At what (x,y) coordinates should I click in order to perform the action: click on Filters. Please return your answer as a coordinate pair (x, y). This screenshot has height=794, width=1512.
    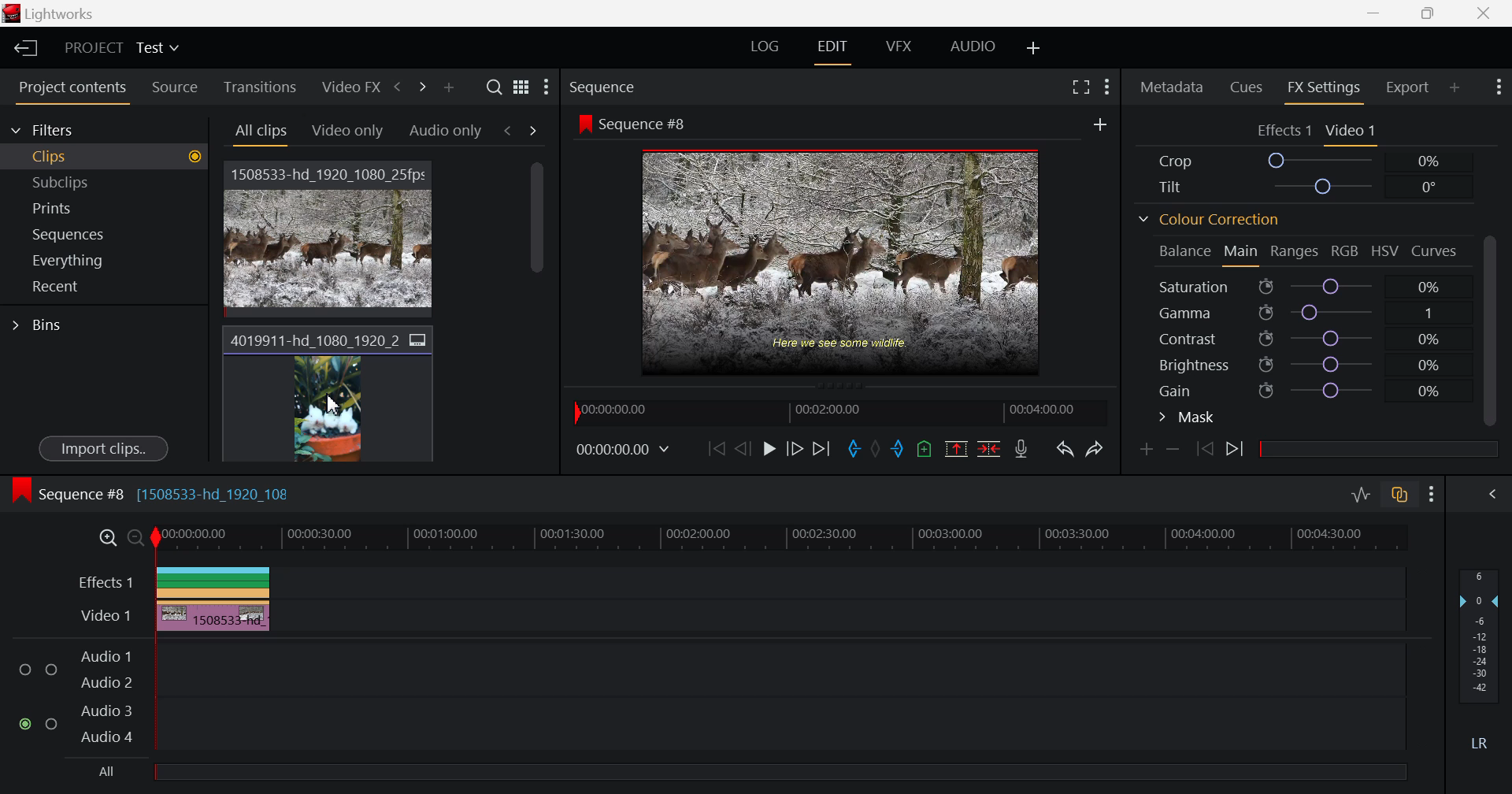
    Looking at the image, I should click on (81, 130).